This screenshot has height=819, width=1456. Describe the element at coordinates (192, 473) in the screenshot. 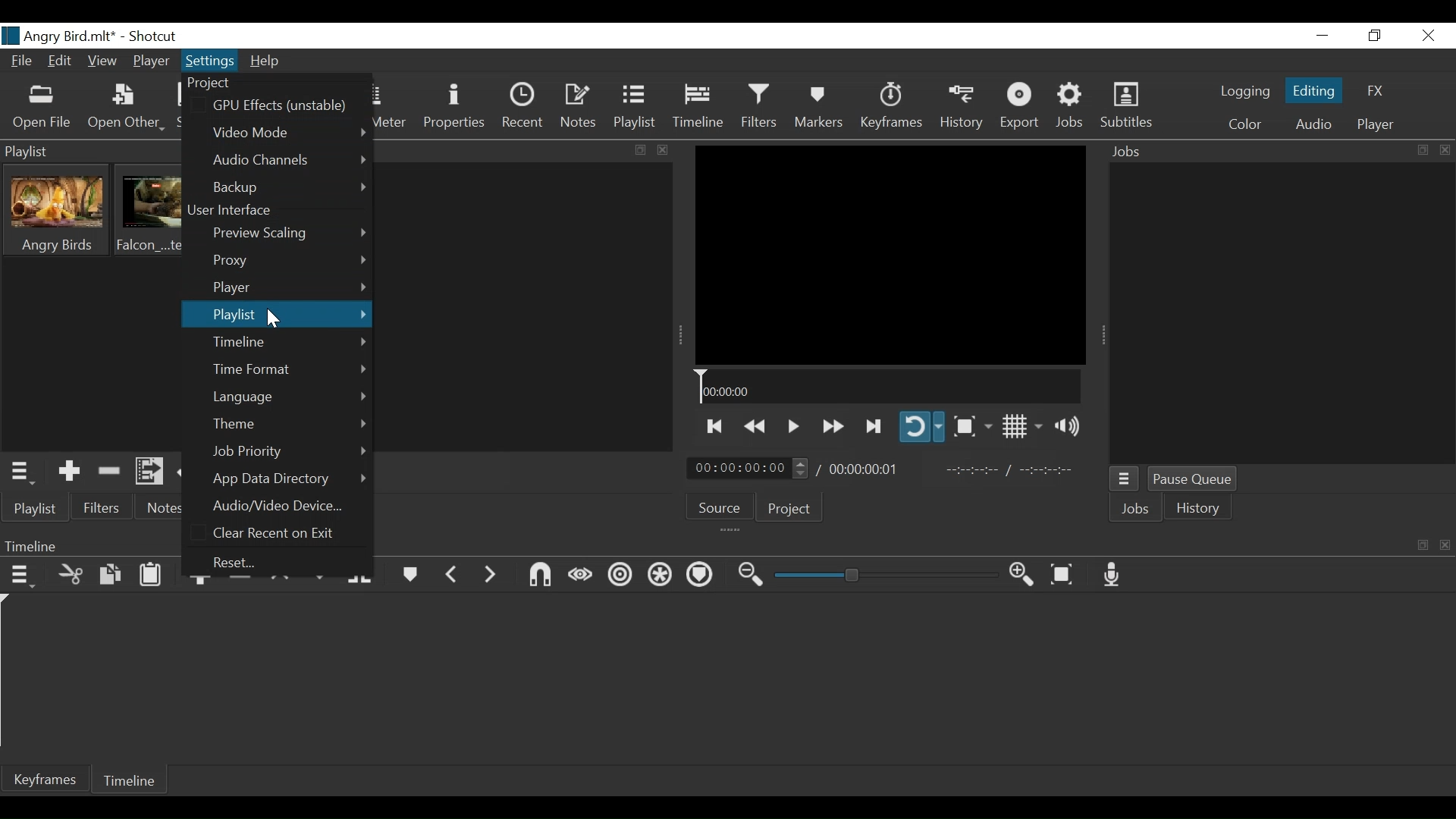

I see `Update` at that location.